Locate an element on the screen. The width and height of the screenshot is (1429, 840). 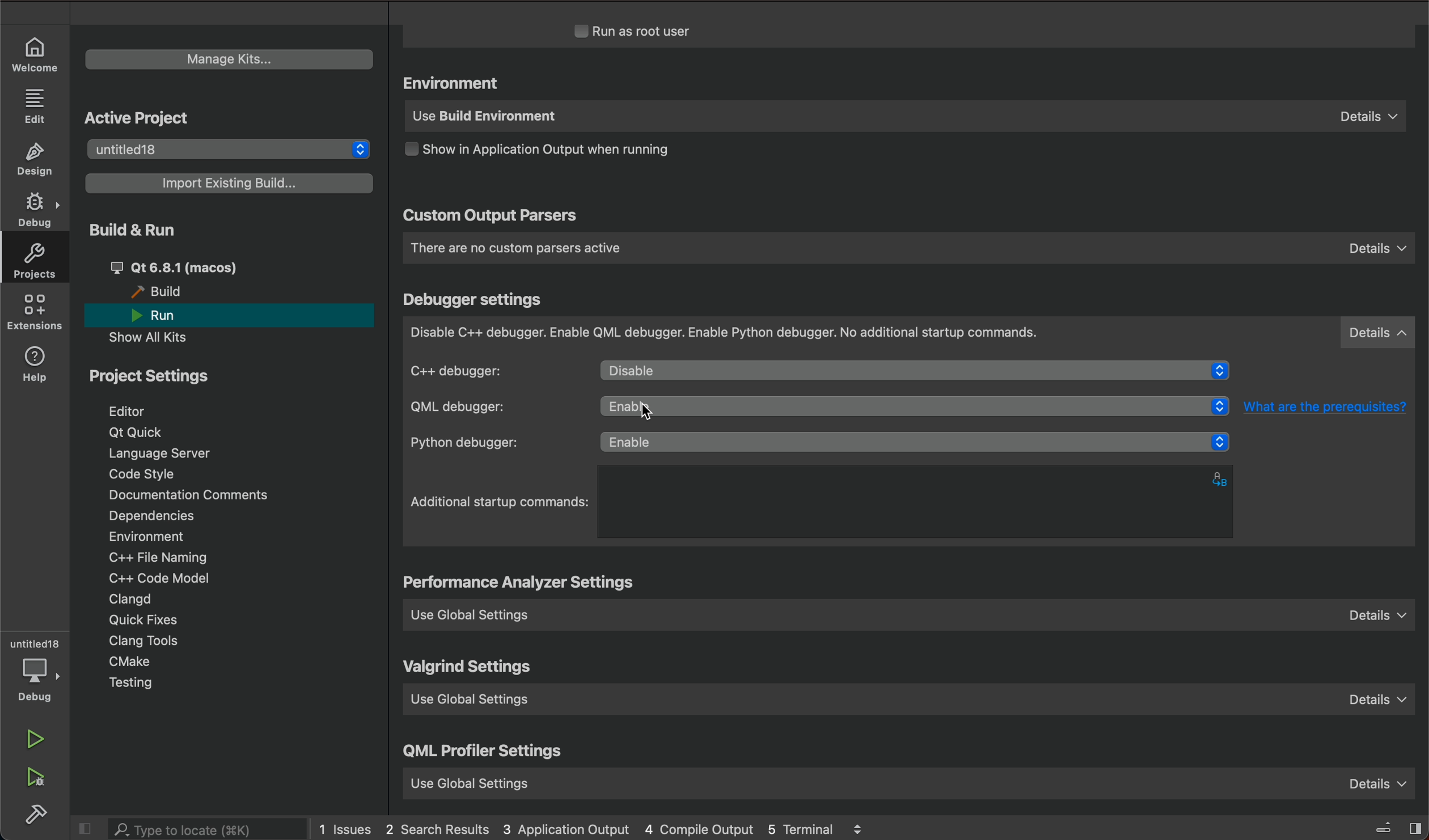
use build  is located at coordinates (902, 118).